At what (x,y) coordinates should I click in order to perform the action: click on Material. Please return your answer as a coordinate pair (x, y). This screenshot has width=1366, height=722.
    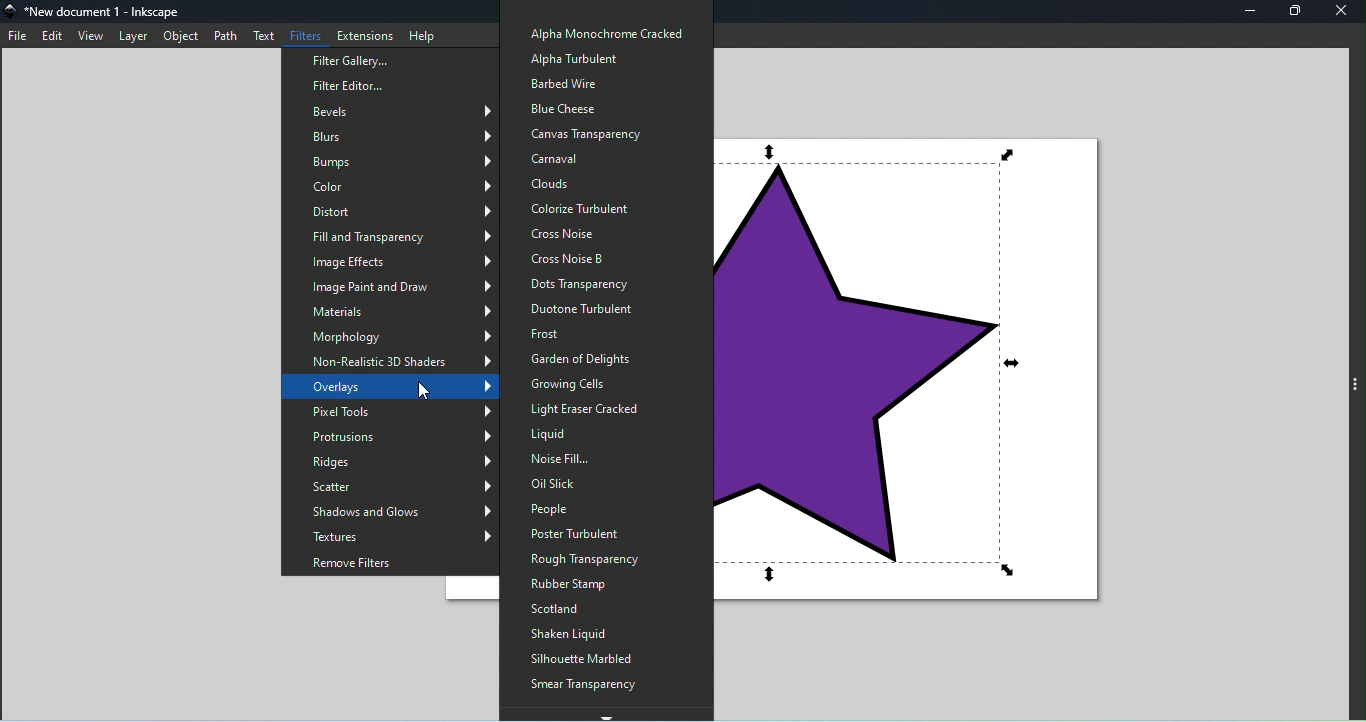
    Looking at the image, I should click on (403, 312).